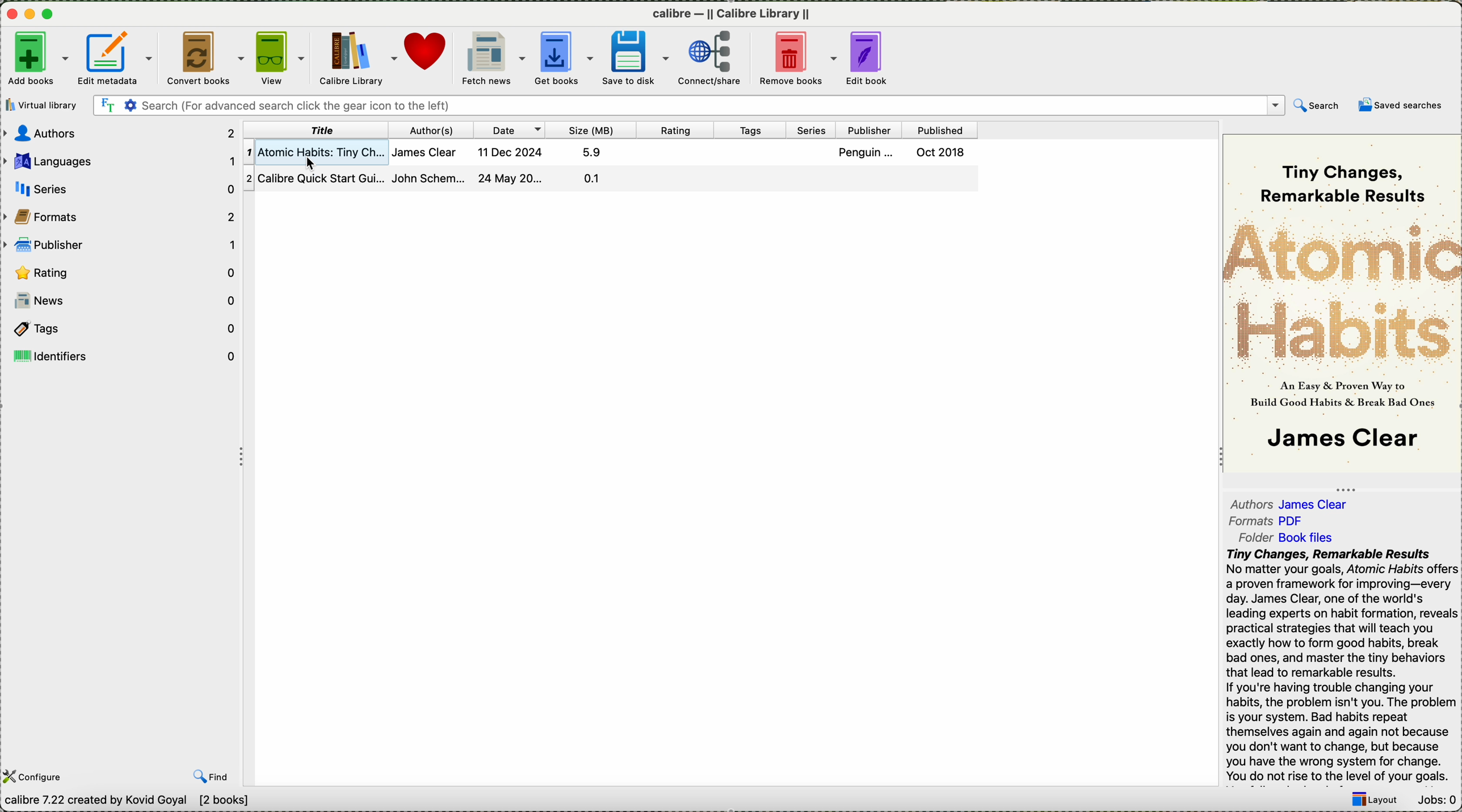 The width and height of the screenshot is (1462, 812). I want to click on remove books, so click(797, 59).